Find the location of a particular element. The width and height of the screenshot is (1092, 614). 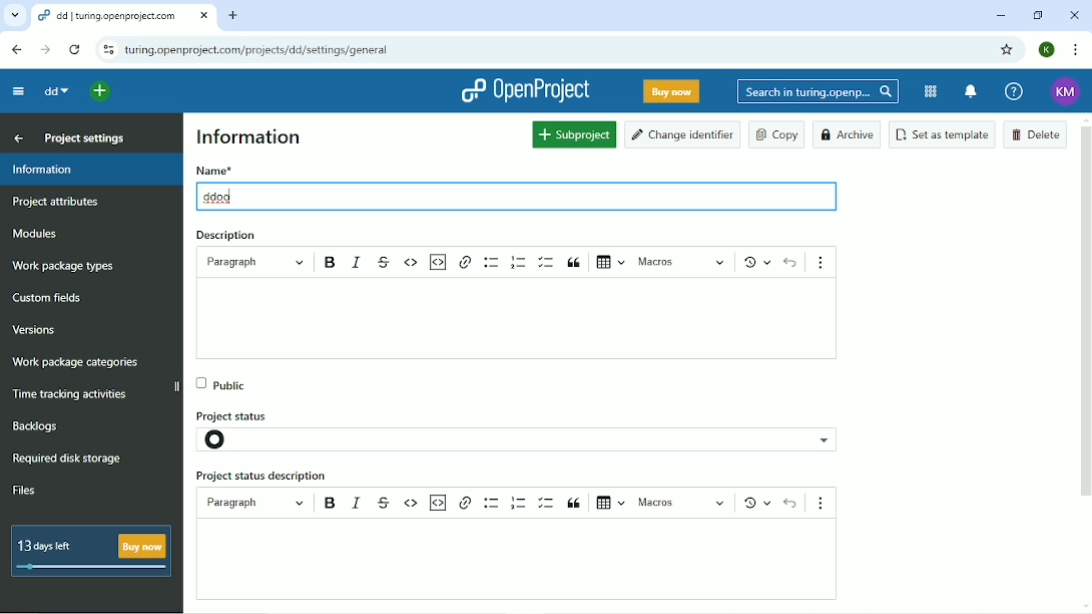

Bulleted list is located at coordinates (492, 263).